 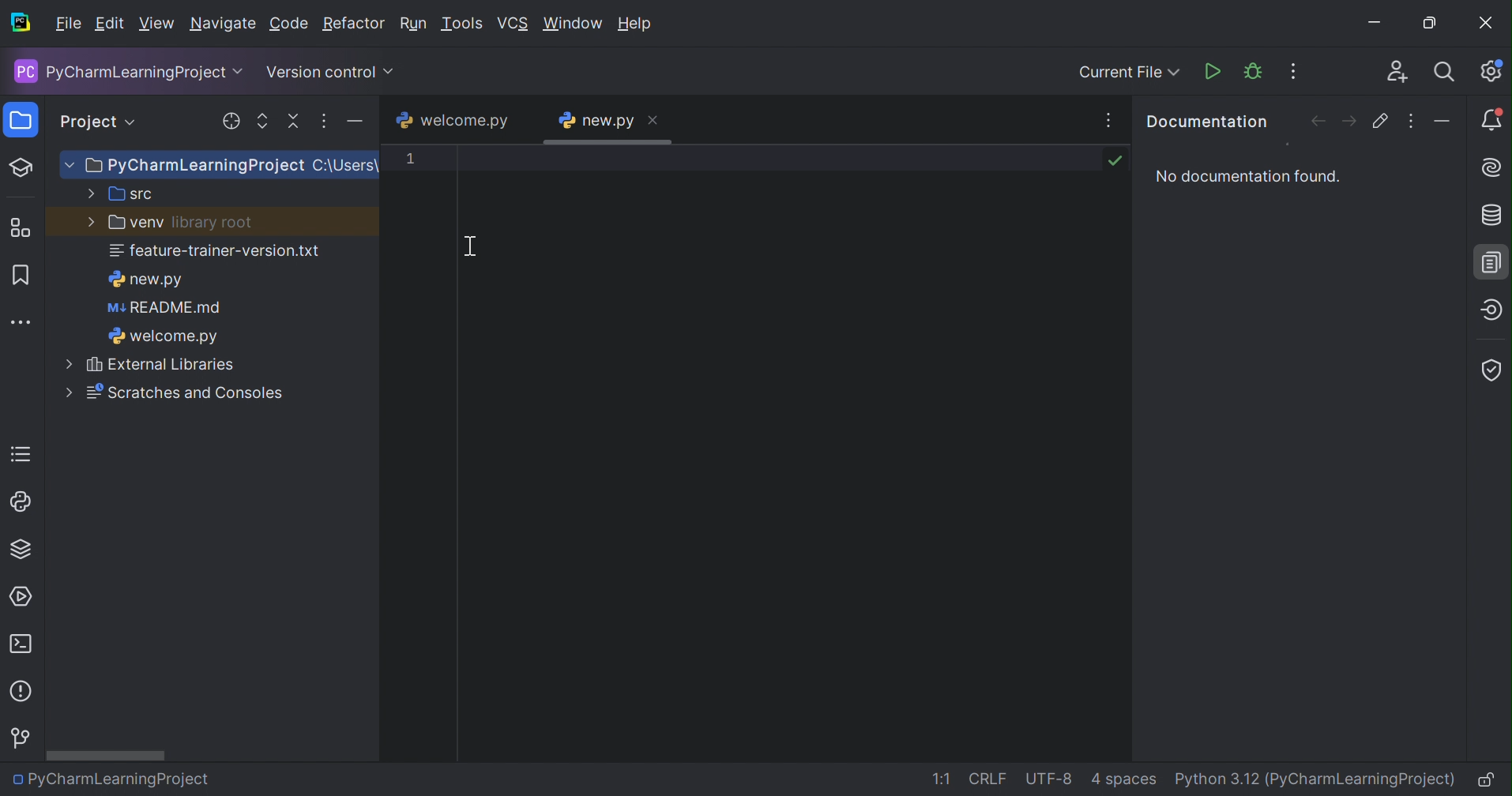 What do you see at coordinates (324, 123) in the screenshot?
I see `more` at bounding box center [324, 123].